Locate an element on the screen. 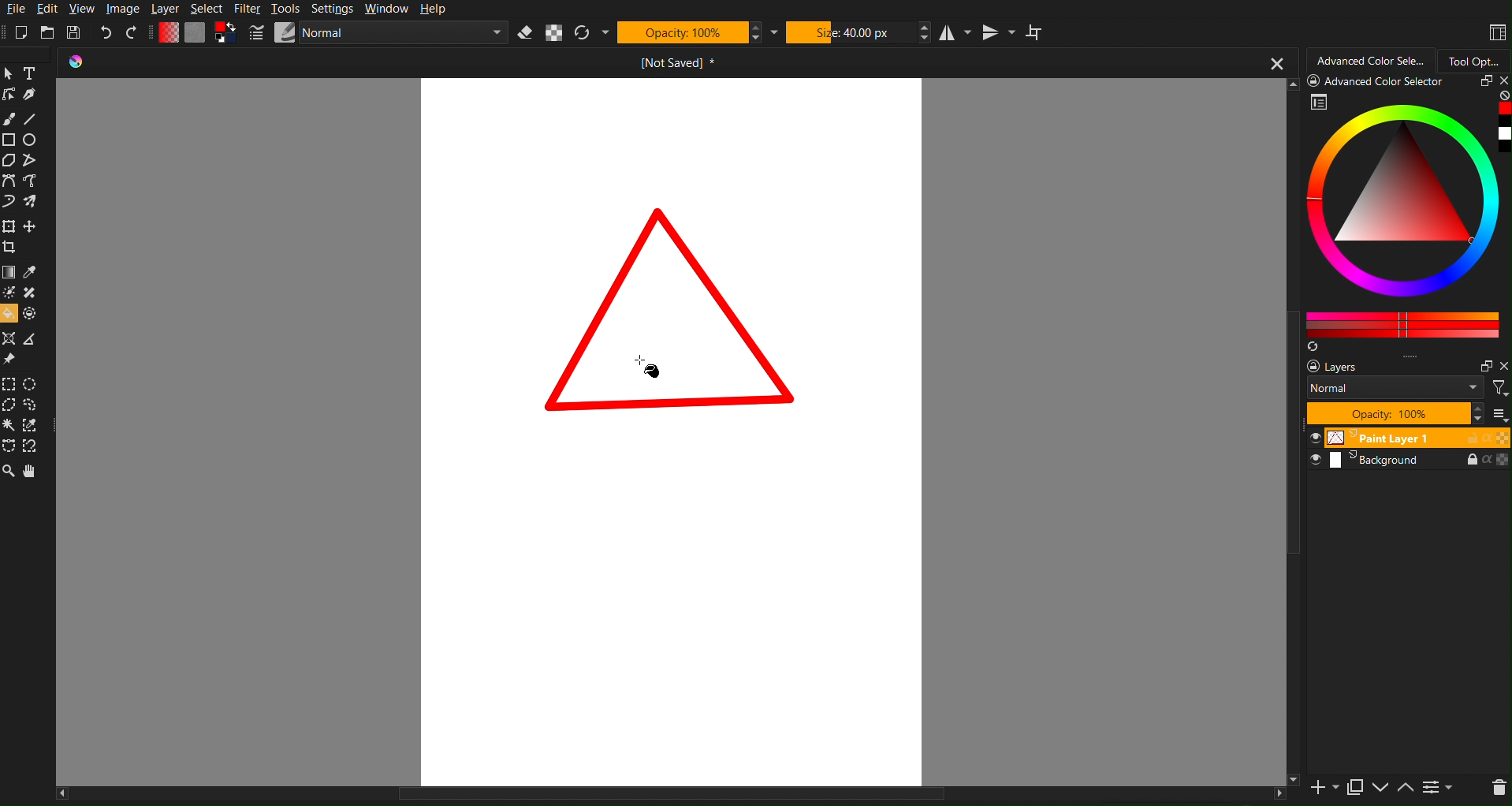 The width and height of the screenshot is (1512, 806). view or change layer properties is located at coordinates (1438, 789).